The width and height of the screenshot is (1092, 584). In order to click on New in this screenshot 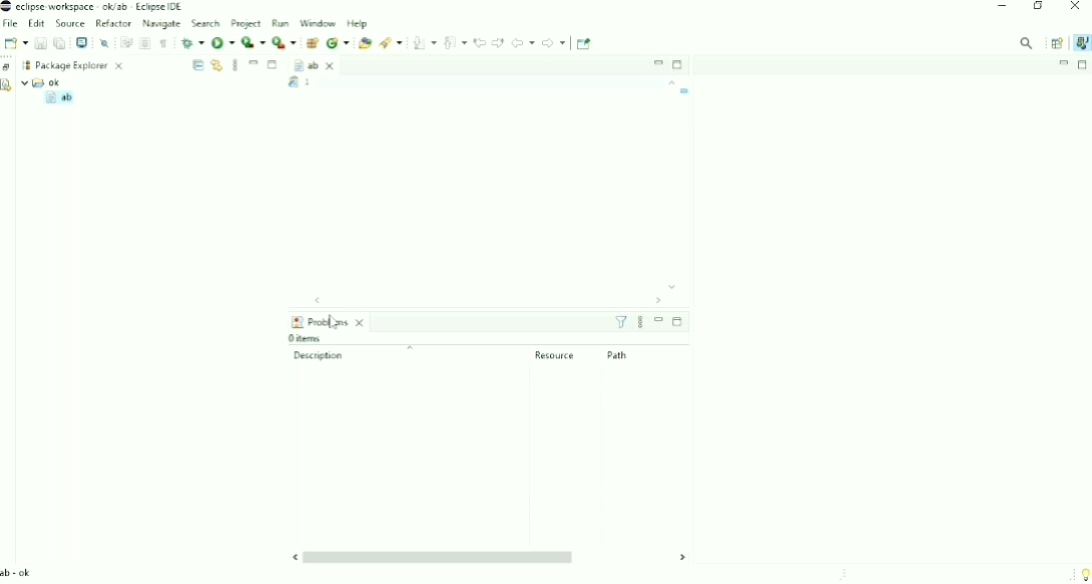, I will do `click(15, 43)`.